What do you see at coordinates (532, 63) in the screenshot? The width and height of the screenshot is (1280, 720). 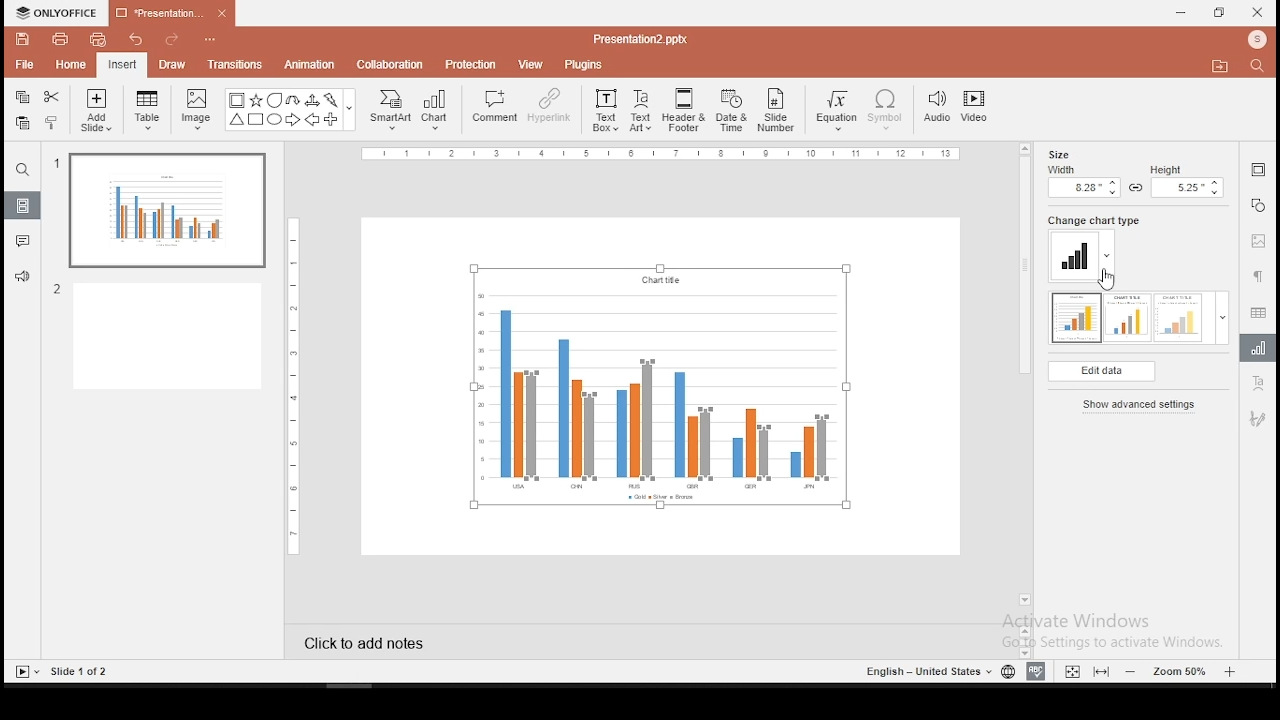 I see `view` at bounding box center [532, 63].